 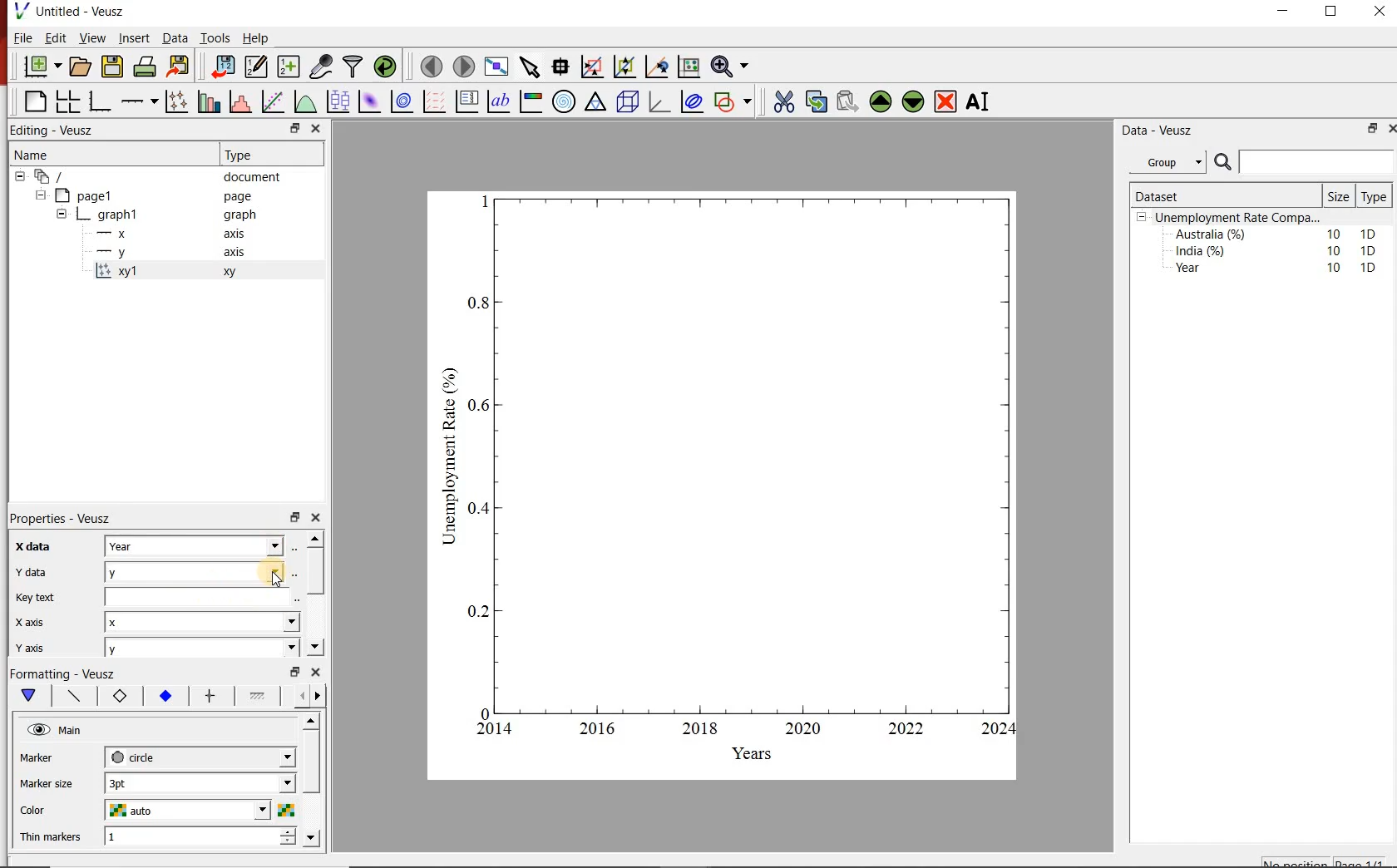 I want to click on collpase, so click(x=1142, y=218).